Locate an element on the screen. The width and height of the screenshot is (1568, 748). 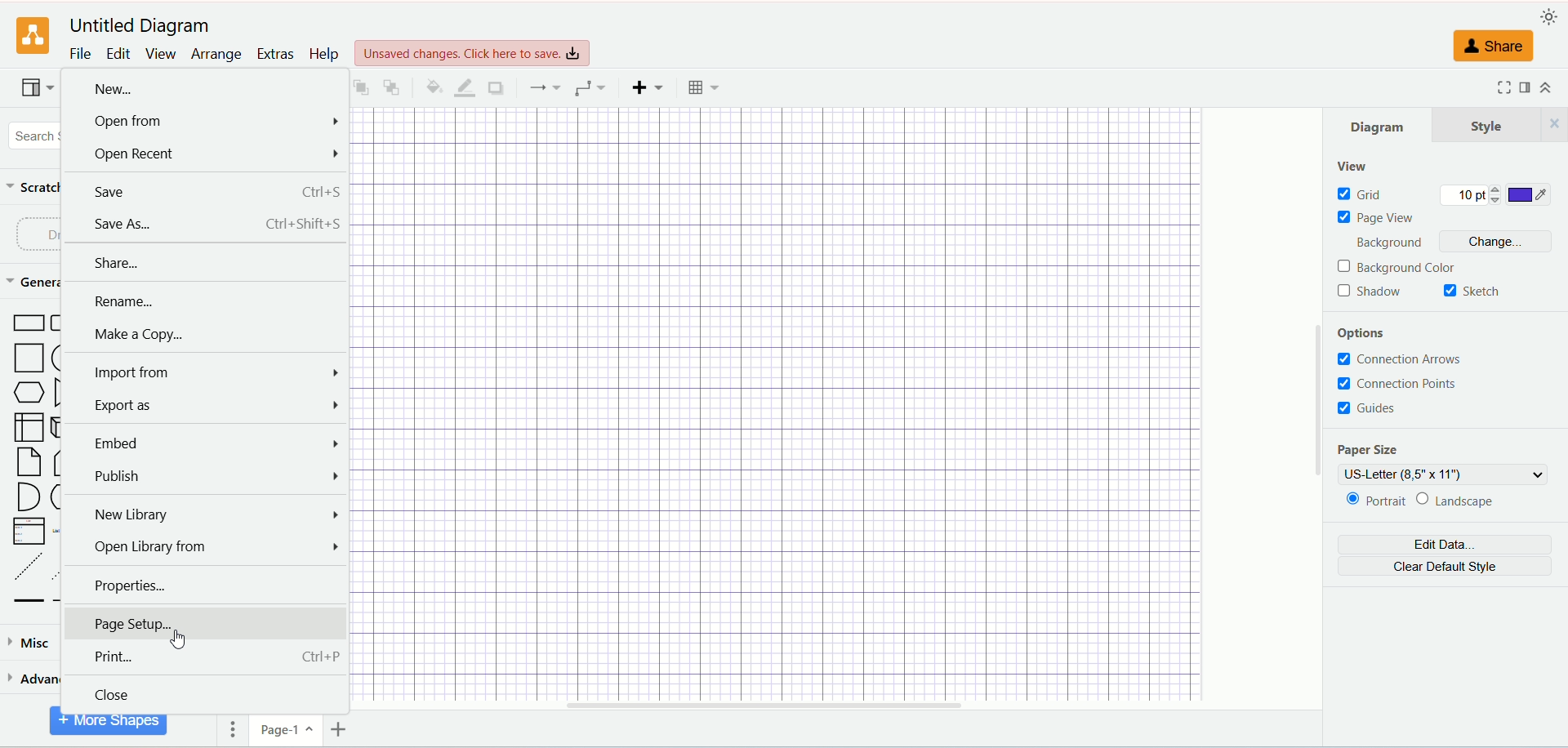
US letter is located at coordinates (1445, 474).